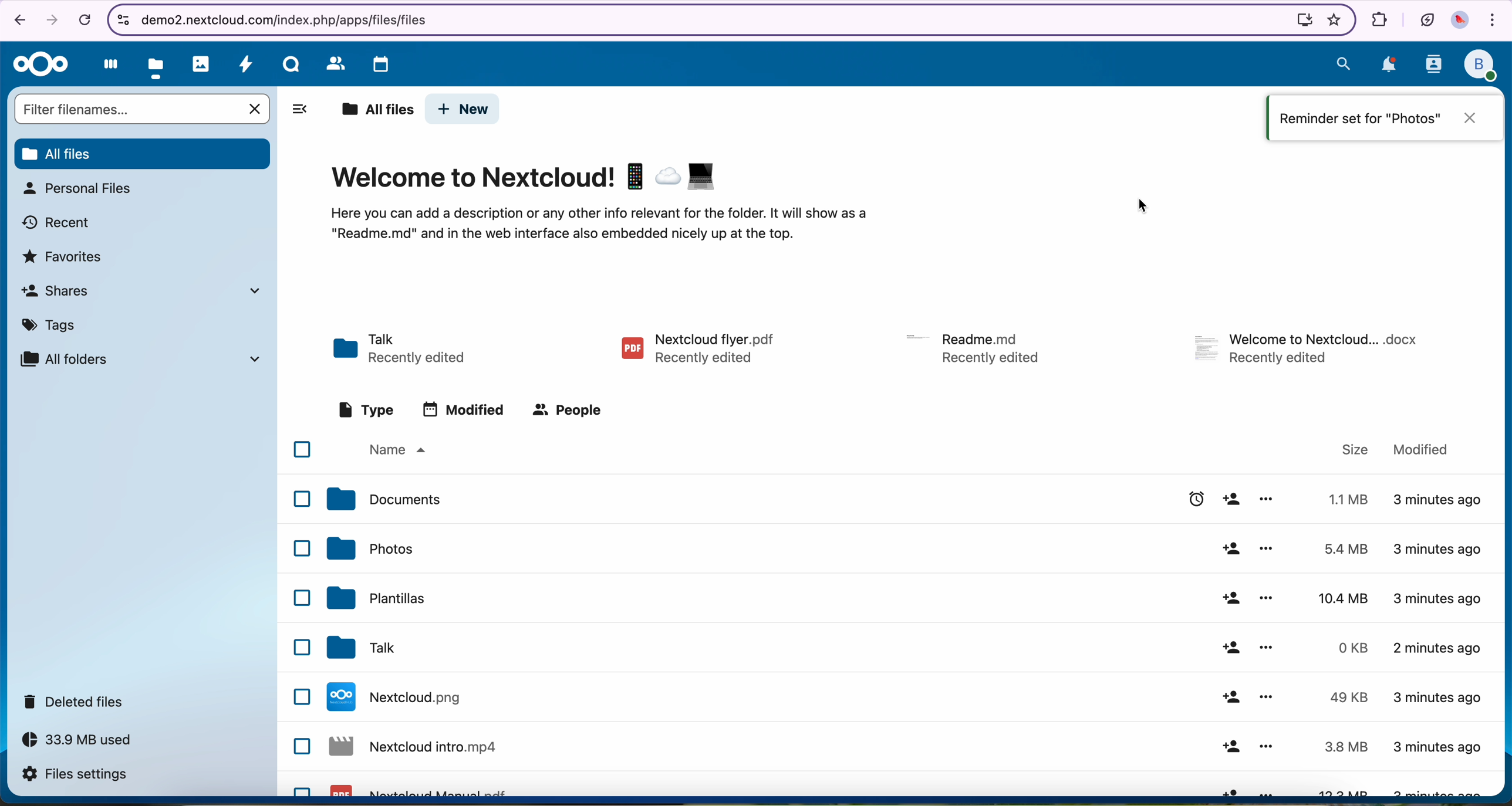 The image size is (1512, 806). What do you see at coordinates (39, 65) in the screenshot?
I see `Nextcloud logo` at bounding box center [39, 65].